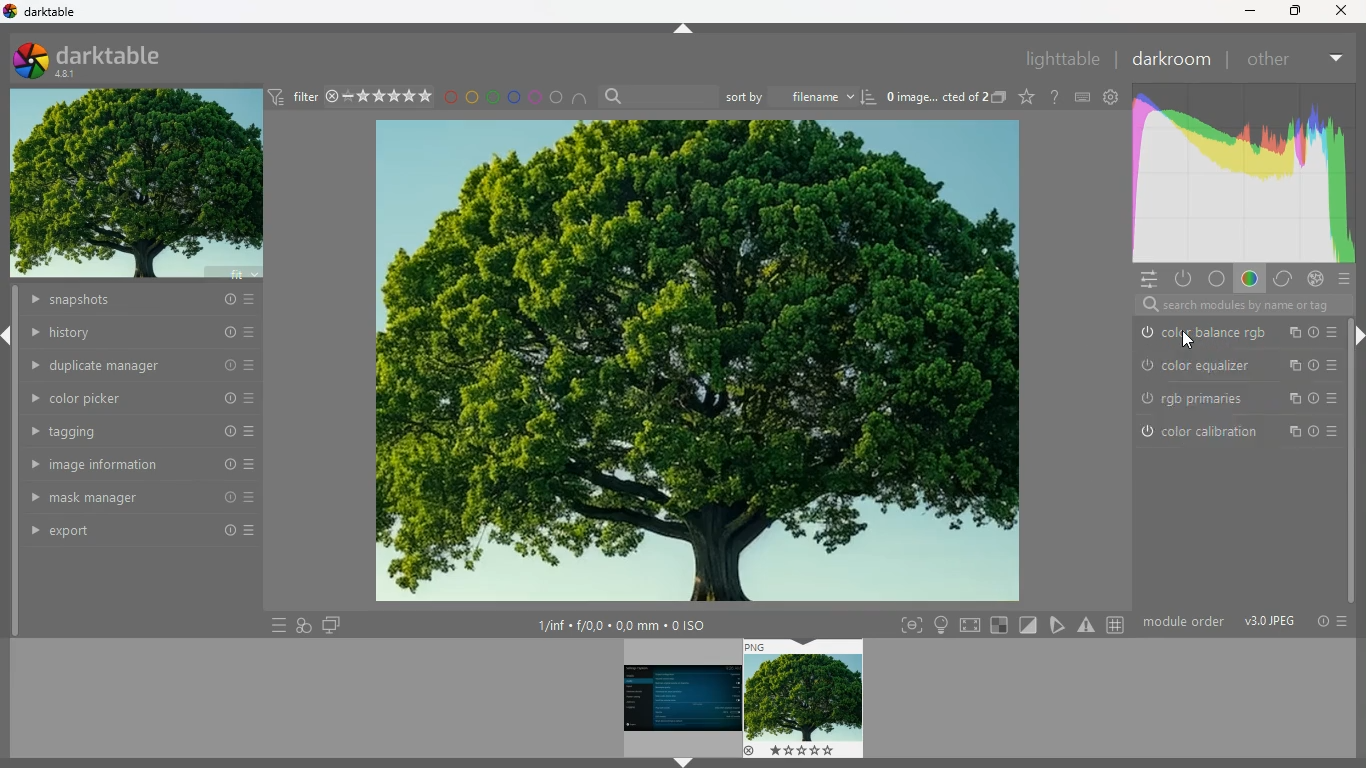  I want to click on settings, so click(1110, 96).